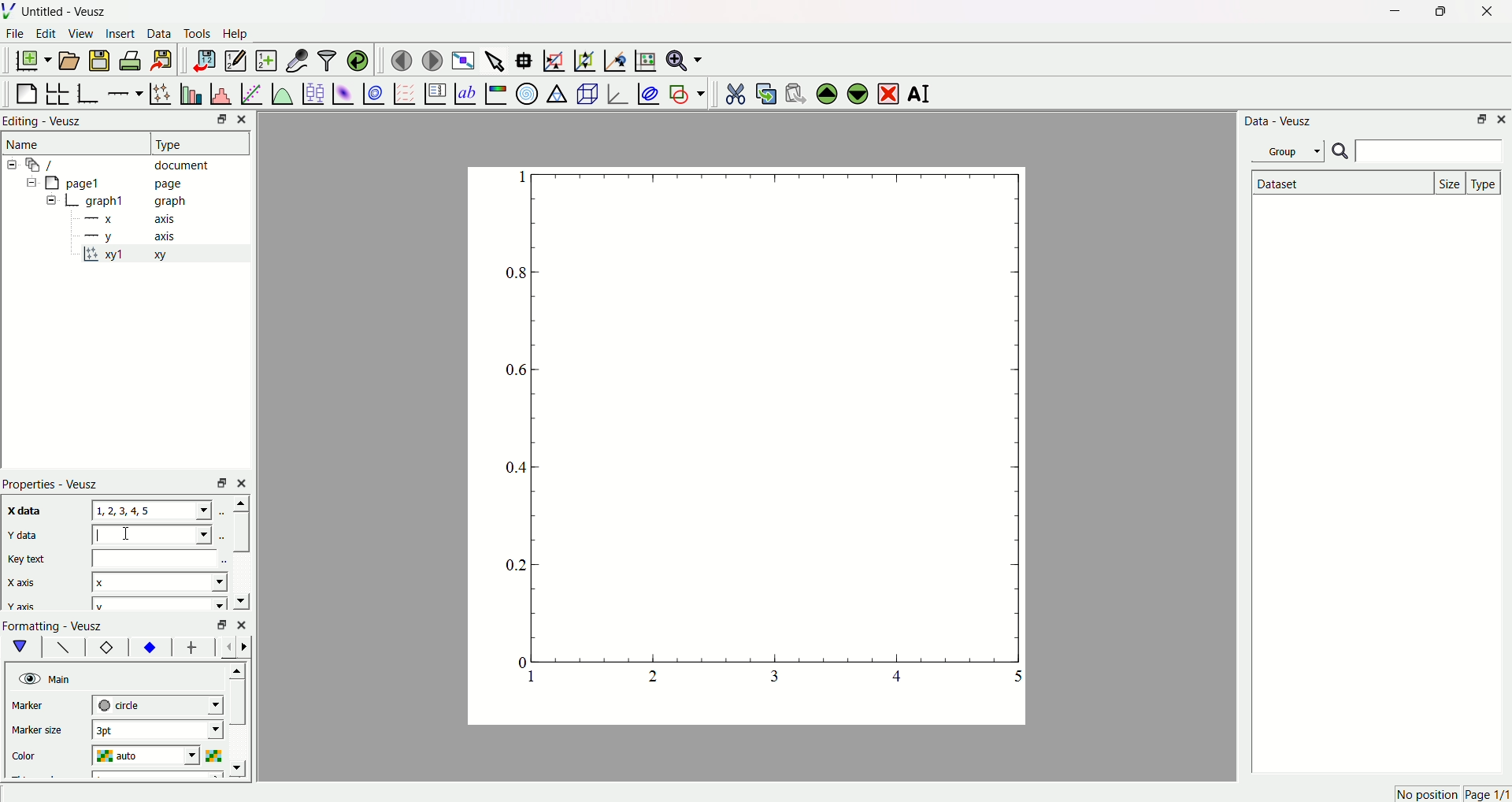 The image size is (1512, 802). I want to click on move down, so click(240, 600).